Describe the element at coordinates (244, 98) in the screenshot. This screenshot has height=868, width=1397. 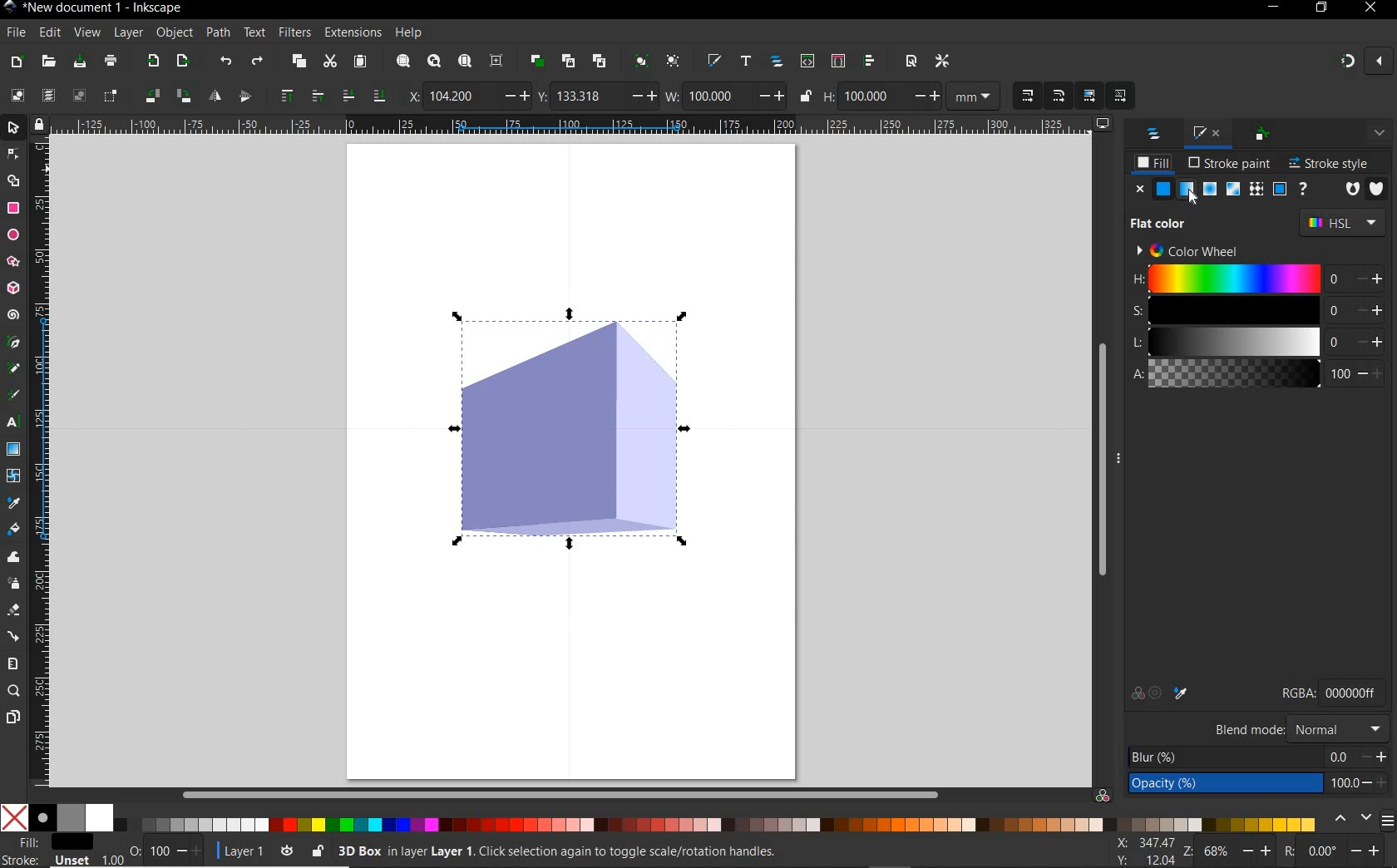
I see `OBJECT FLIP` at that location.